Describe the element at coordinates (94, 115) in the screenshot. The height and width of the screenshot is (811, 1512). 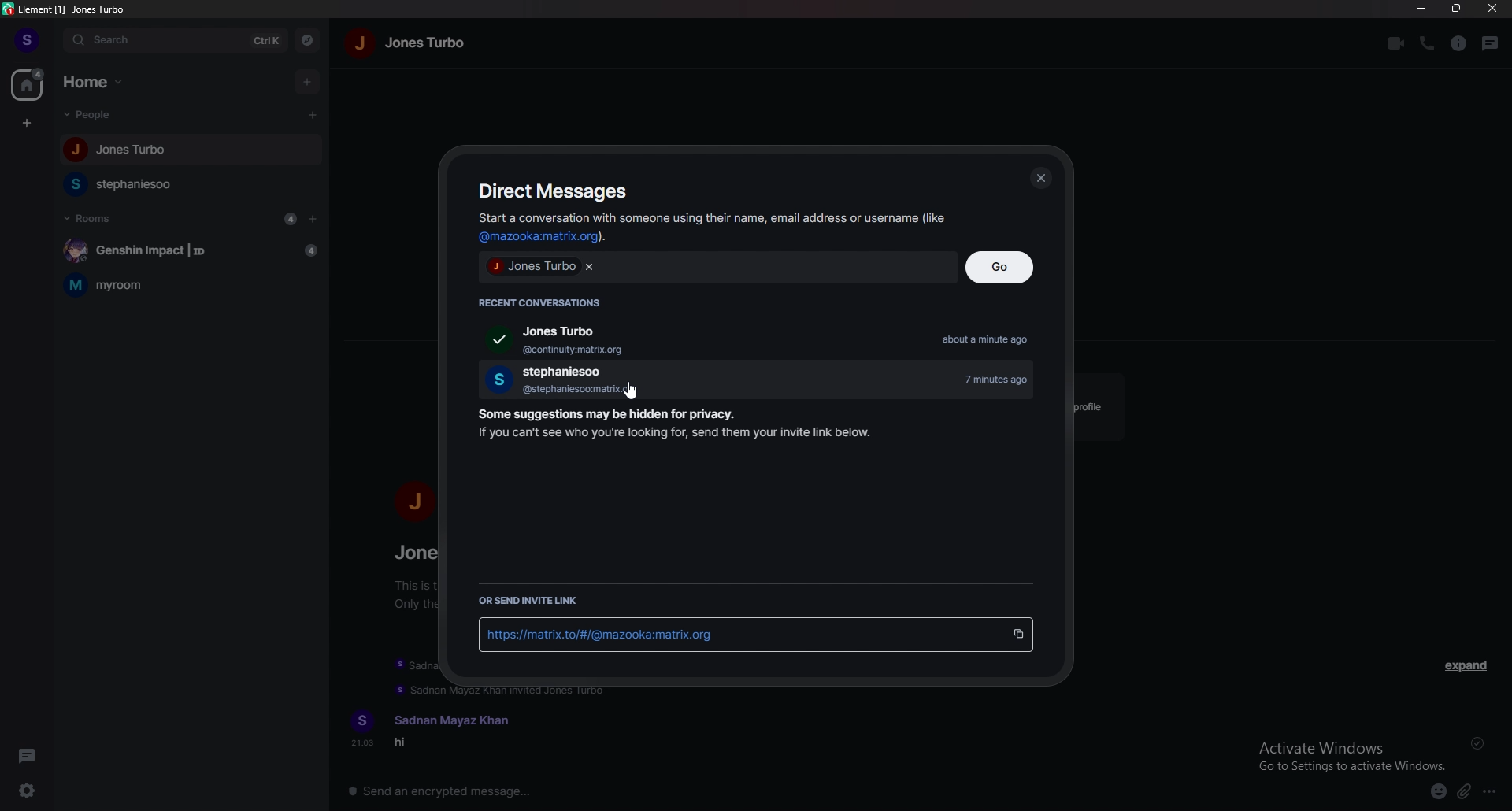
I see `people` at that location.